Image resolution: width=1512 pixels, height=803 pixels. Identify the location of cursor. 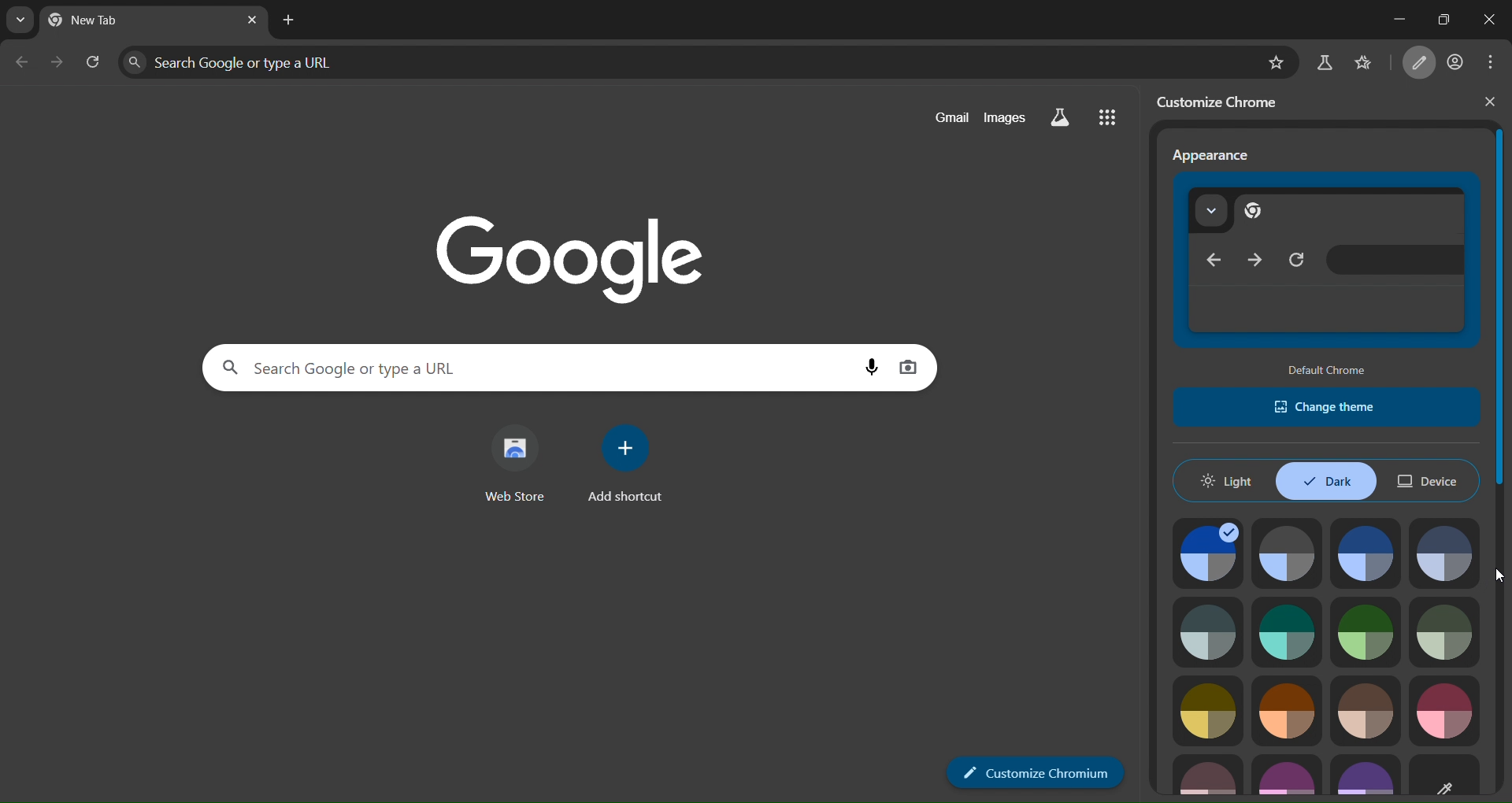
(1499, 574).